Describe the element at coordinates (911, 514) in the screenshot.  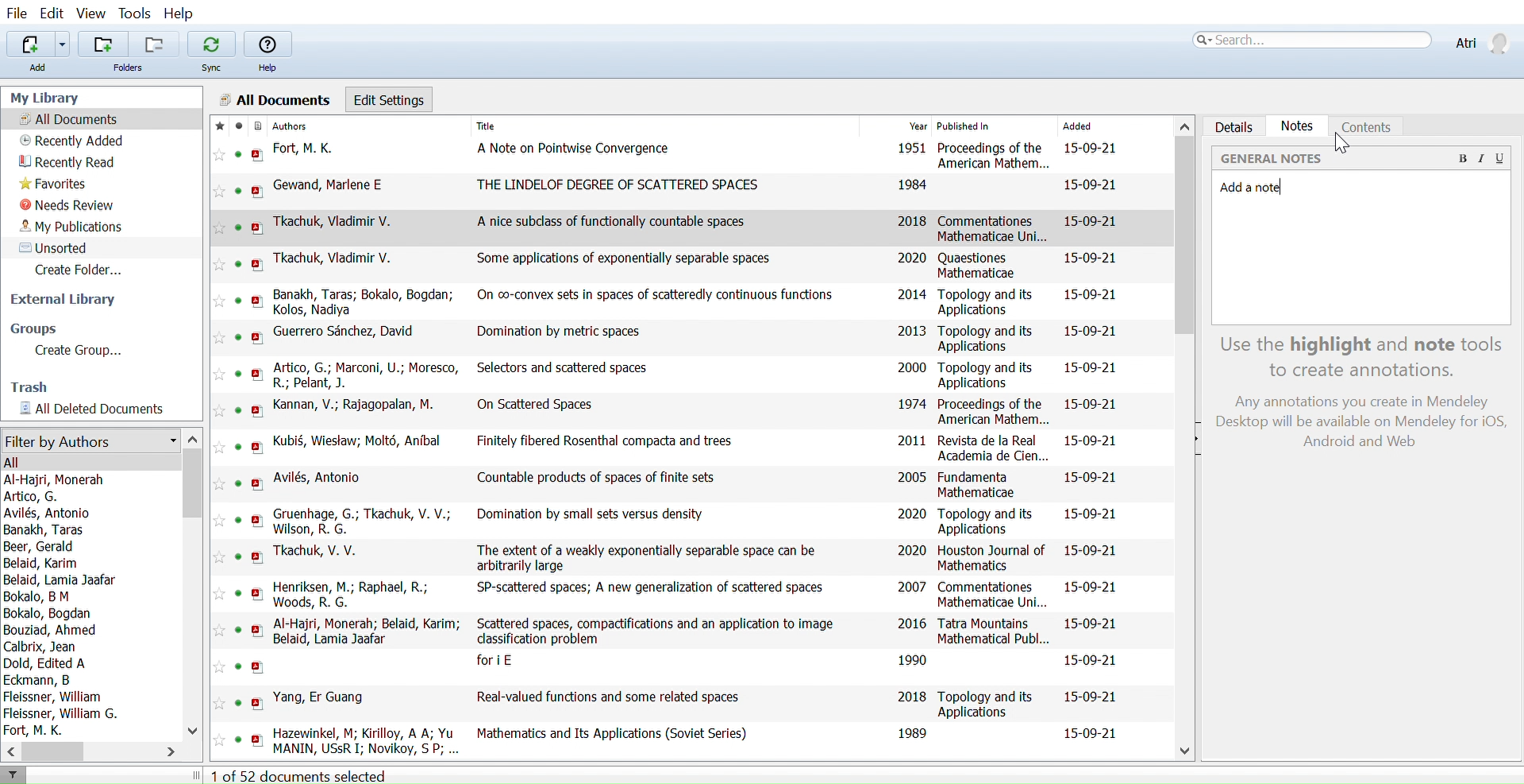
I see `2020` at that location.